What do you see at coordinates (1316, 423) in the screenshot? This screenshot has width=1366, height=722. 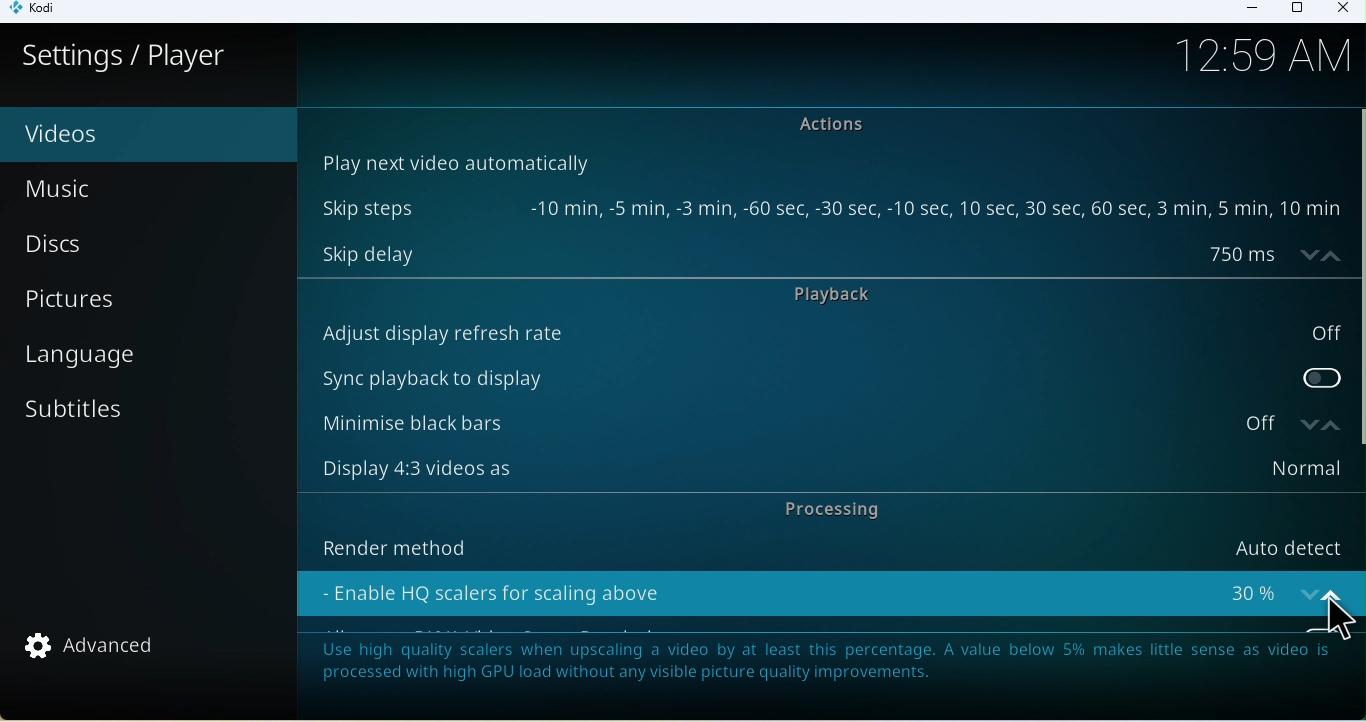 I see `increase/decrease` at bounding box center [1316, 423].